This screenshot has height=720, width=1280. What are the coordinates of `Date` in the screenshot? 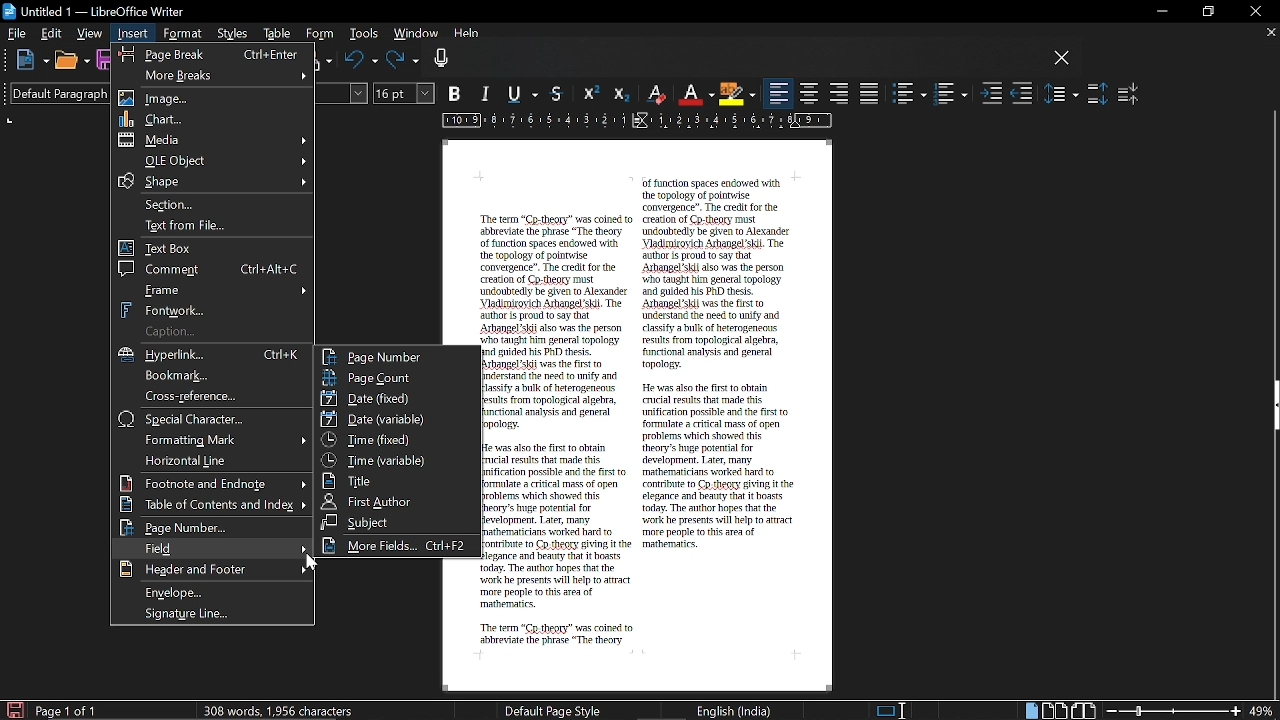 It's located at (394, 397).